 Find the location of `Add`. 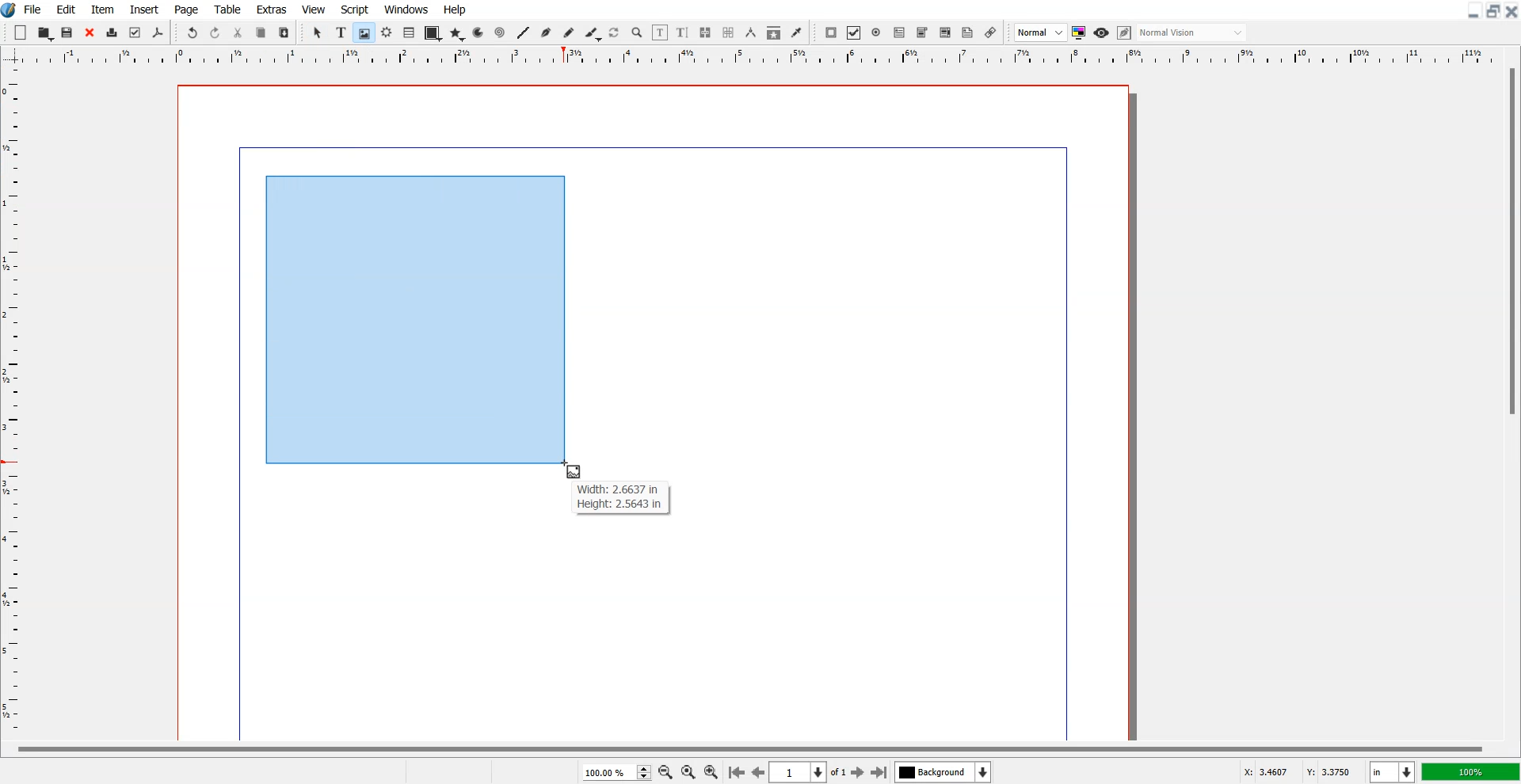

Add is located at coordinates (21, 32).